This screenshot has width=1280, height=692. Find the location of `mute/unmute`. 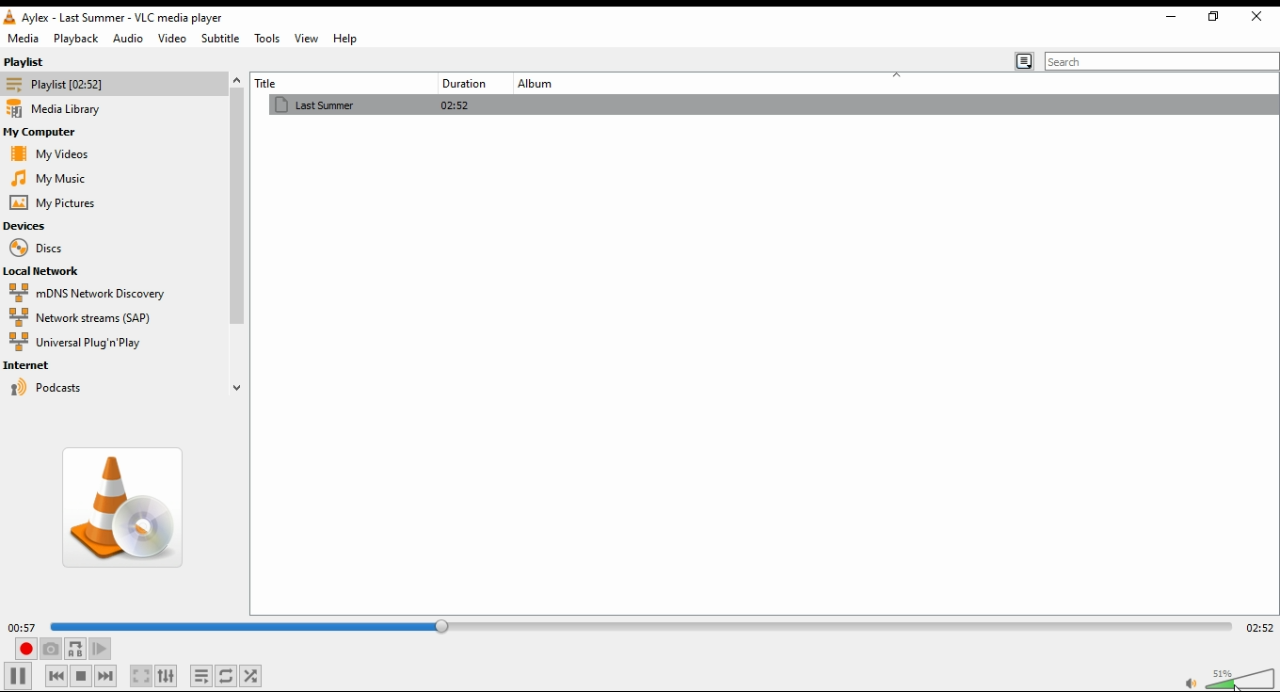

mute/unmute is located at coordinates (1188, 682).